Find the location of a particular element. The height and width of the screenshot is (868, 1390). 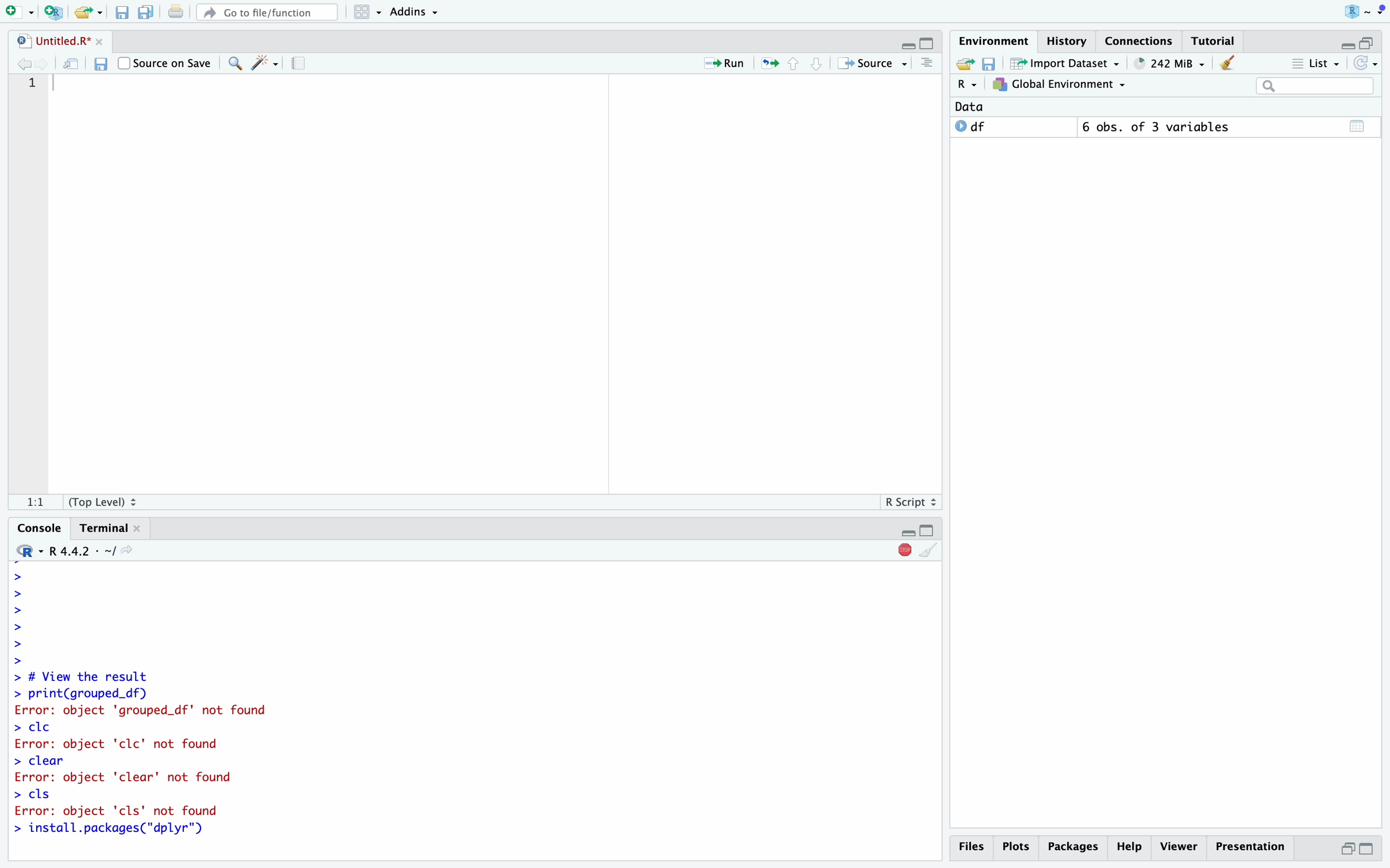

Addins is located at coordinates (414, 11).